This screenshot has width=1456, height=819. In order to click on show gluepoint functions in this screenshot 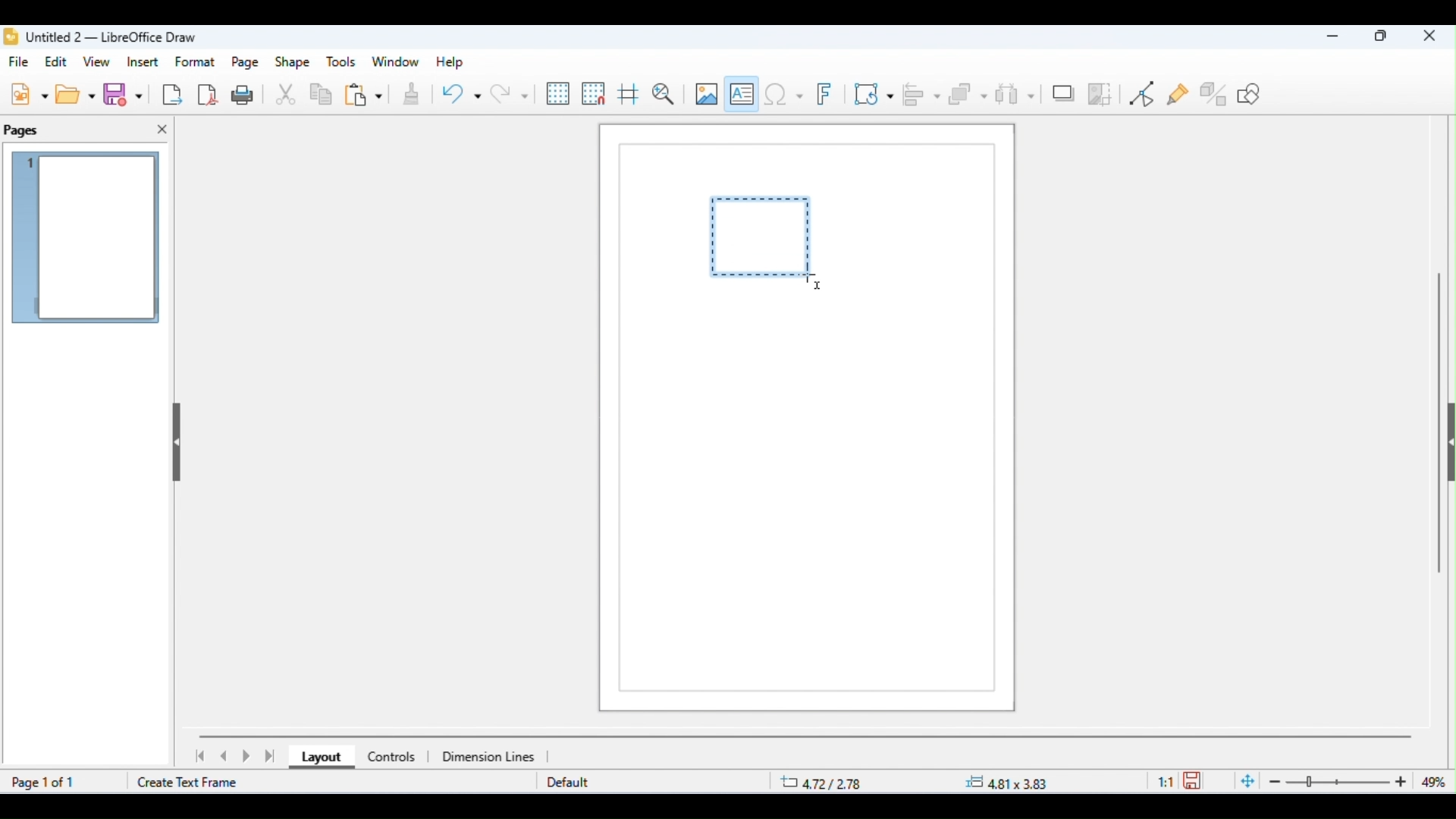, I will do `click(1179, 96)`.